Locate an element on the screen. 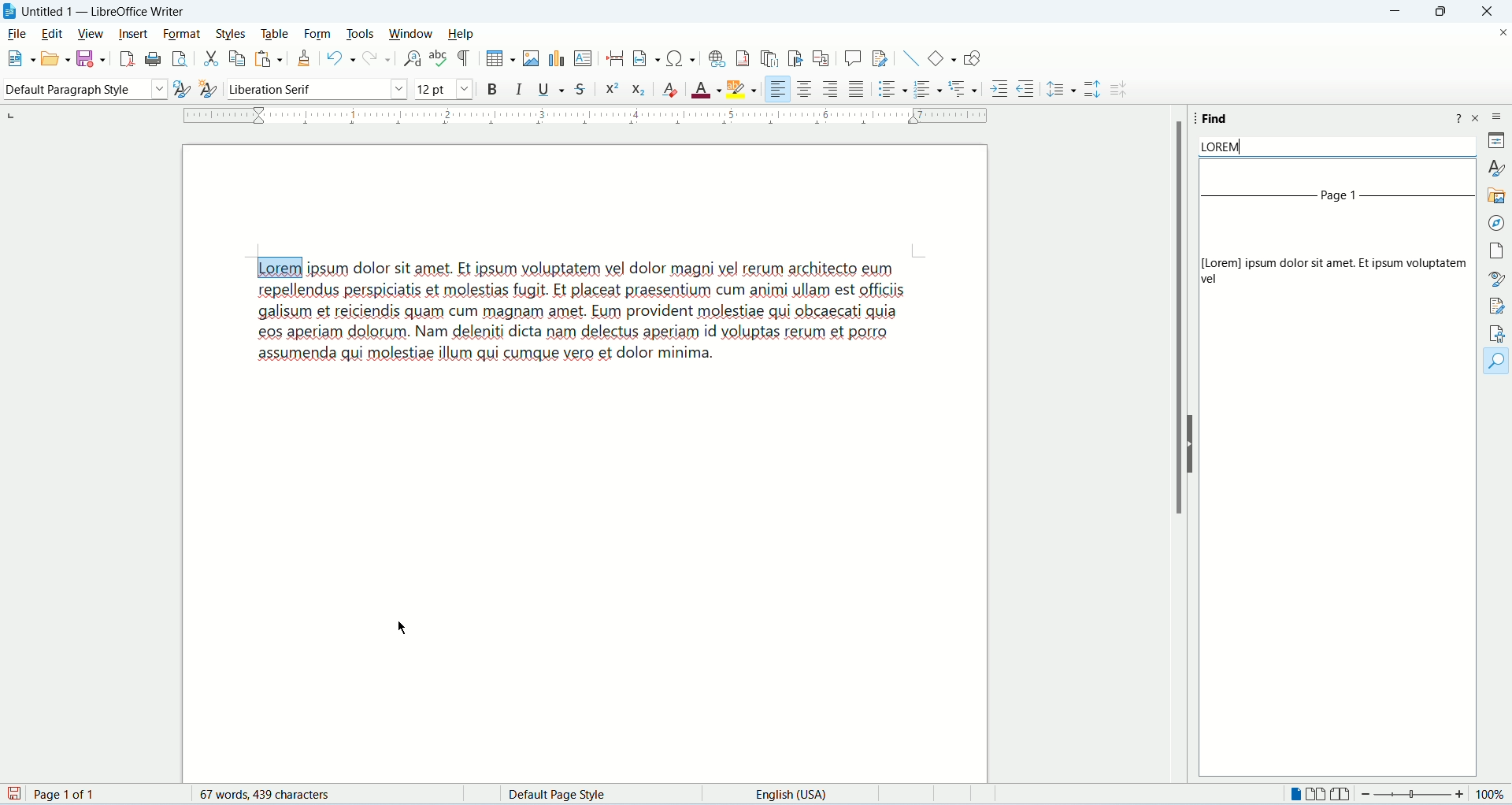 This screenshot has height=805, width=1512. subscript is located at coordinates (638, 91).